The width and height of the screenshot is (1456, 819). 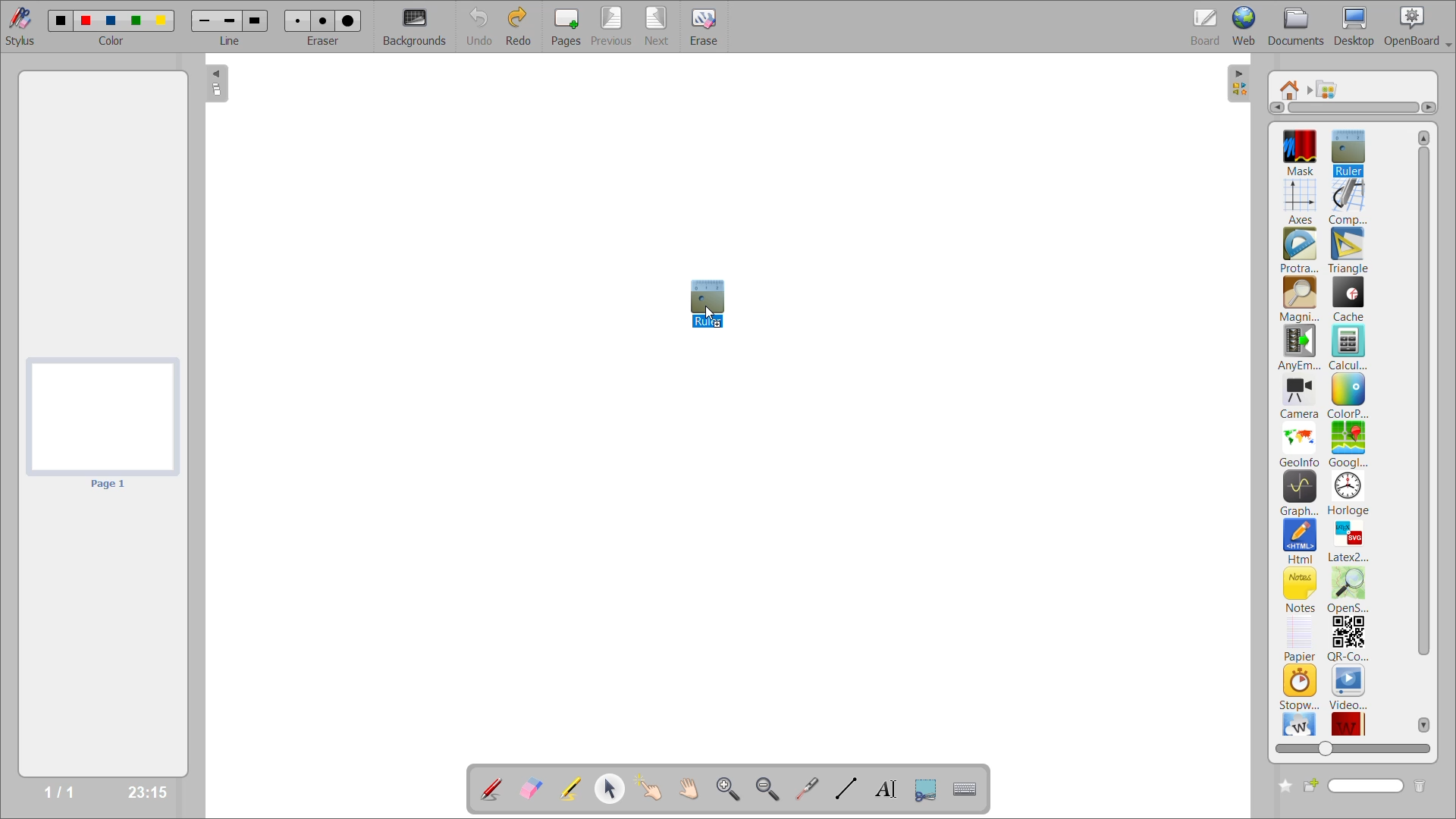 What do you see at coordinates (533, 789) in the screenshot?
I see `erase annotation` at bounding box center [533, 789].